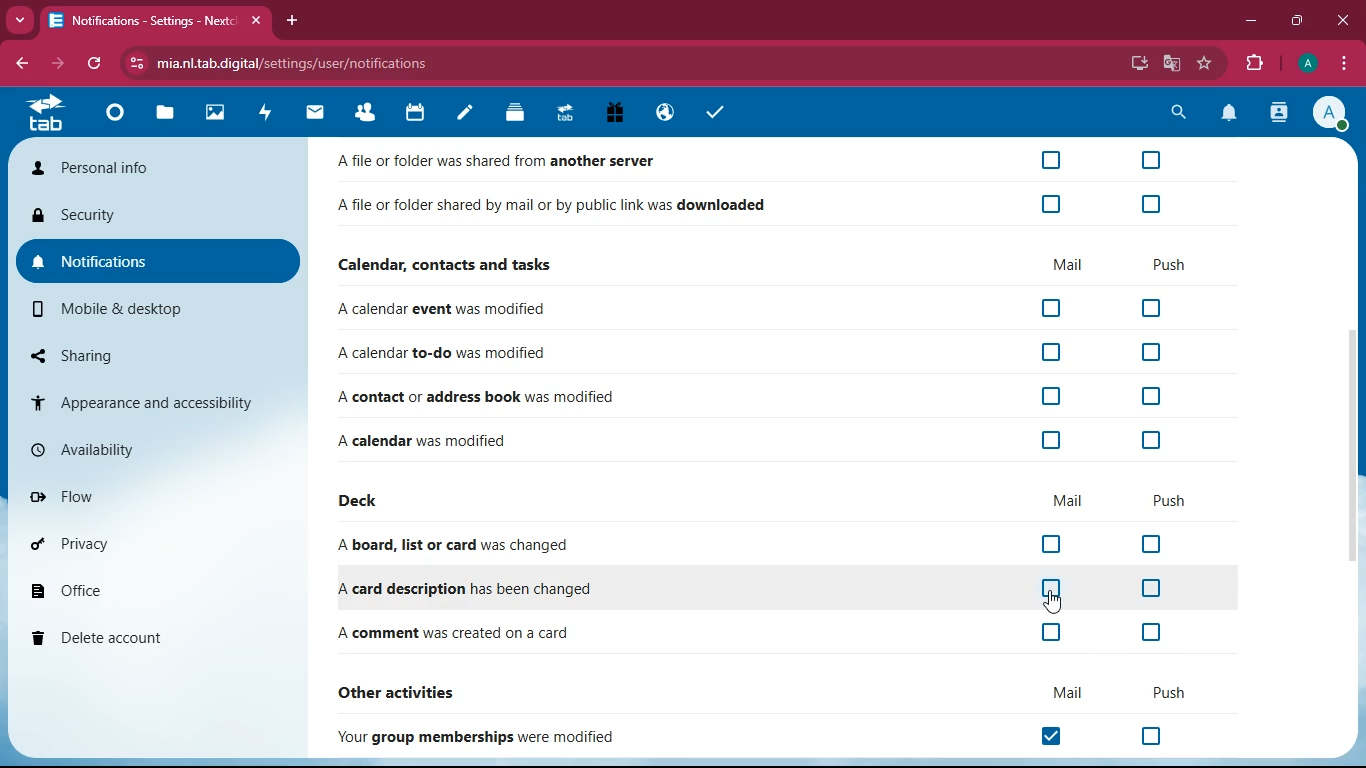 The height and width of the screenshot is (768, 1366). I want to click on off, so click(1152, 309).